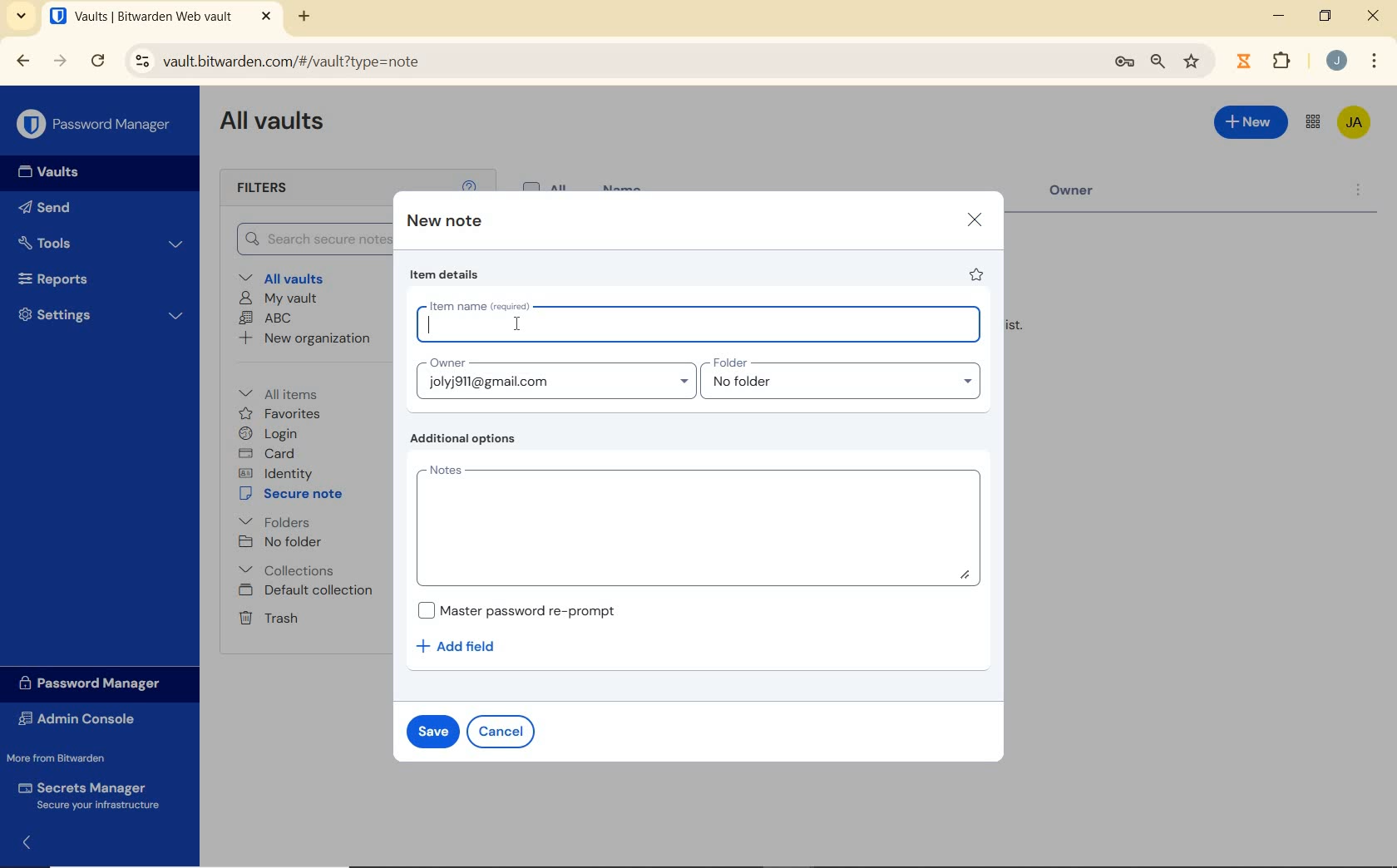 The image size is (1397, 868). What do you see at coordinates (523, 318) in the screenshot?
I see `Mouse Cursor` at bounding box center [523, 318].